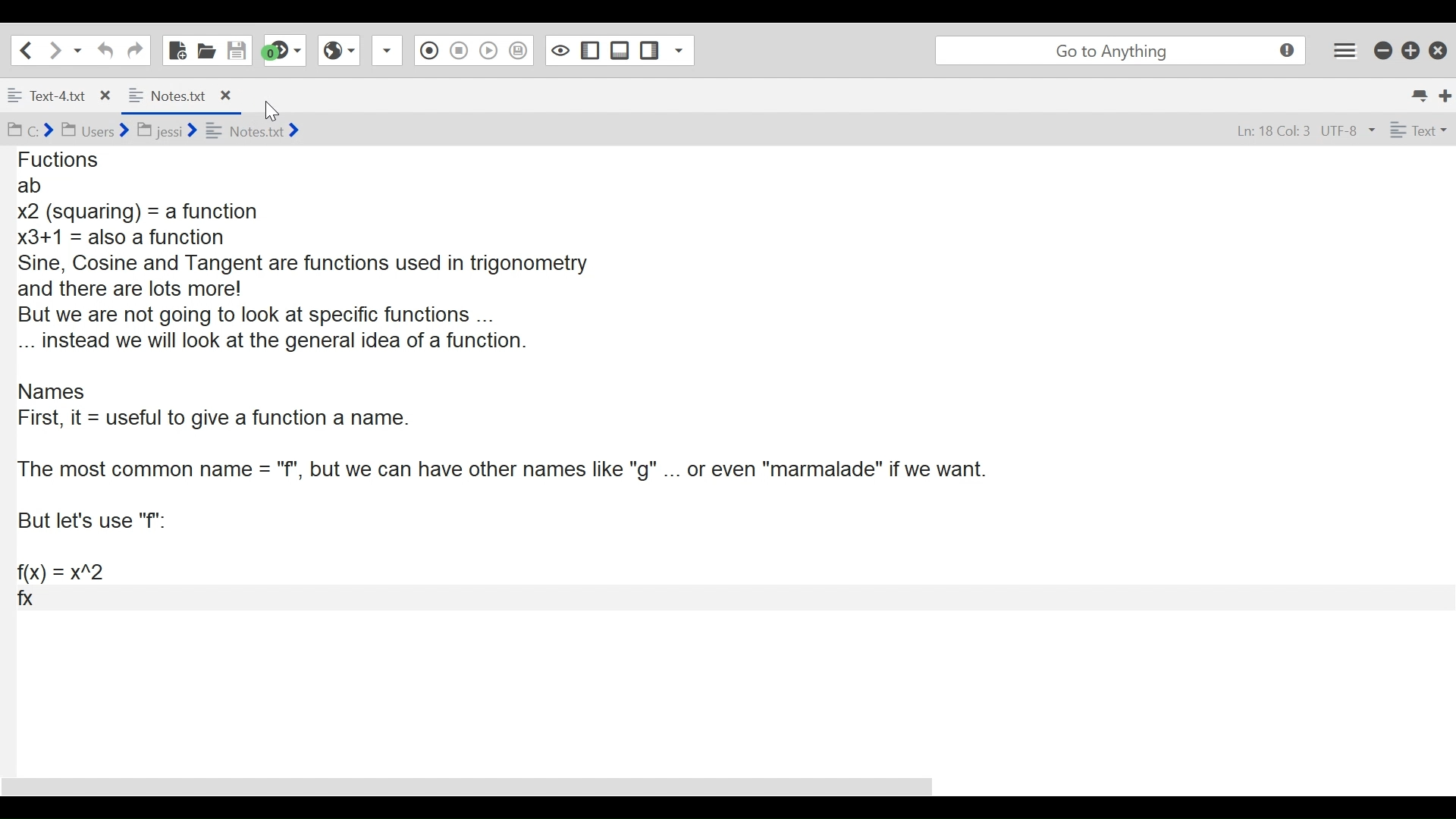 Image resolution: width=1456 pixels, height=819 pixels. What do you see at coordinates (237, 49) in the screenshot?
I see `Save` at bounding box center [237, 49].